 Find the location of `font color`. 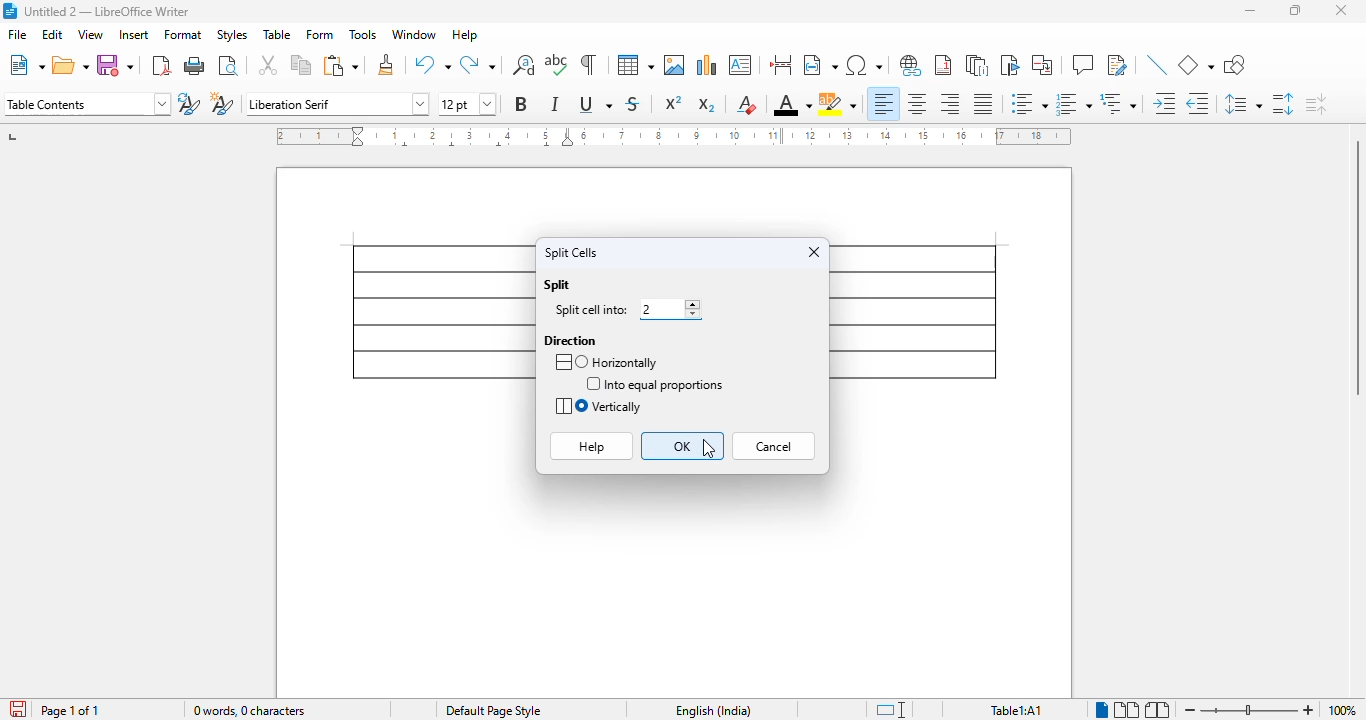

font color is located at coordinates (792, 104).